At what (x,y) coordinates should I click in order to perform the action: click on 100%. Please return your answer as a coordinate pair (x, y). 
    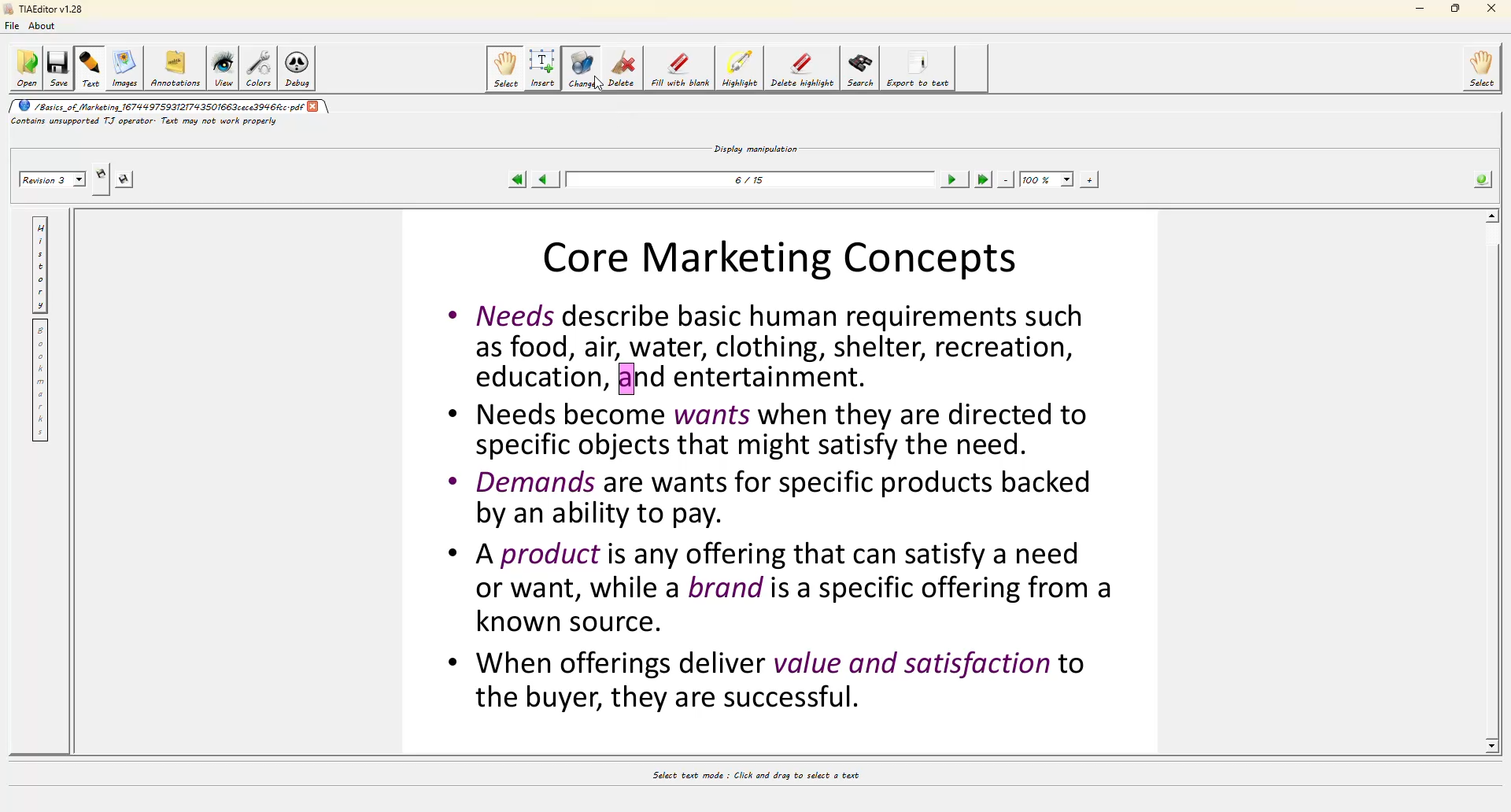
    Looking at the image, I should click on (1046, 179).